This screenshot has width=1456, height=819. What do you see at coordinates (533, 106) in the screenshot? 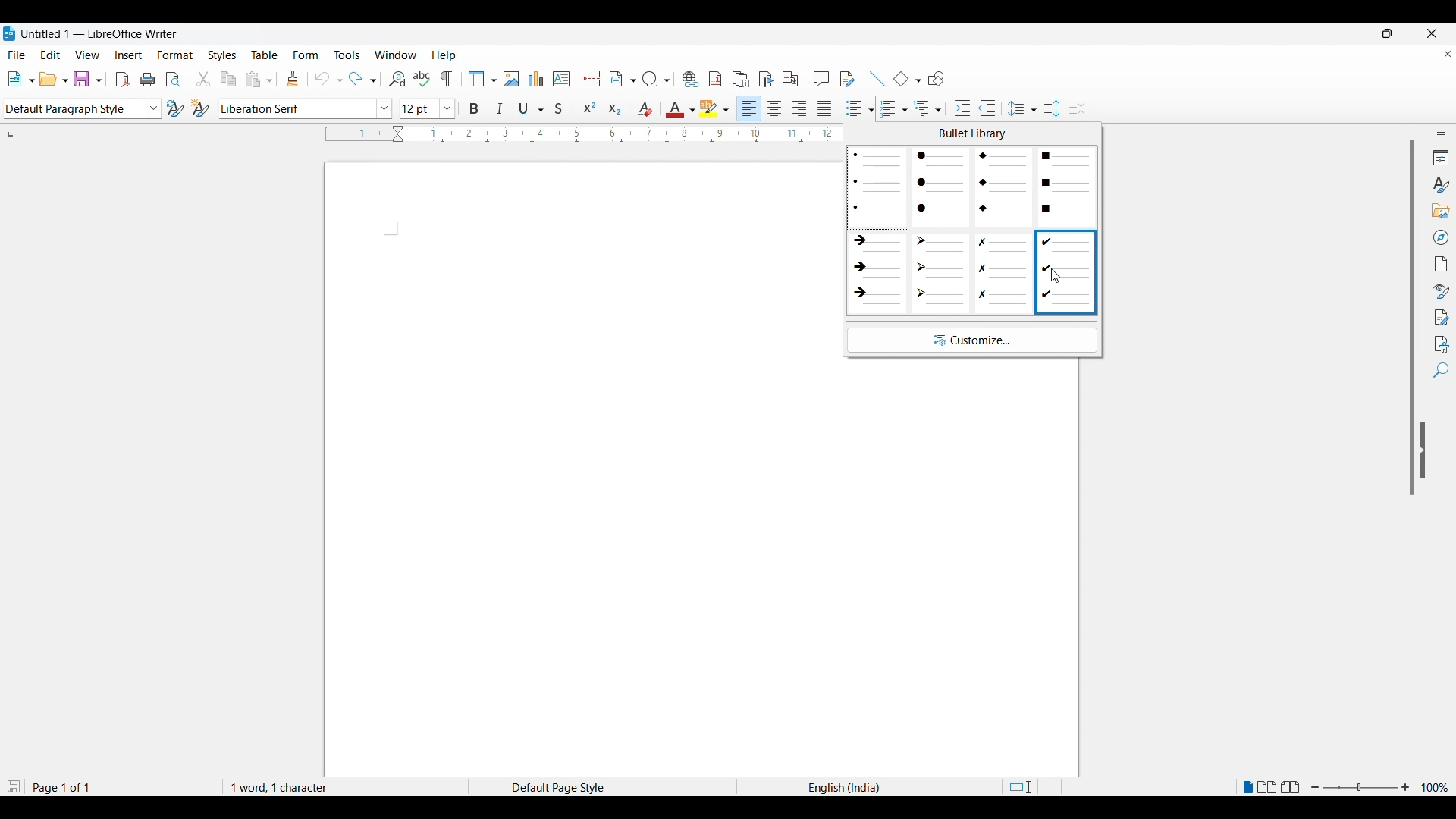
I see `underline` at bounding box center [533, 106].